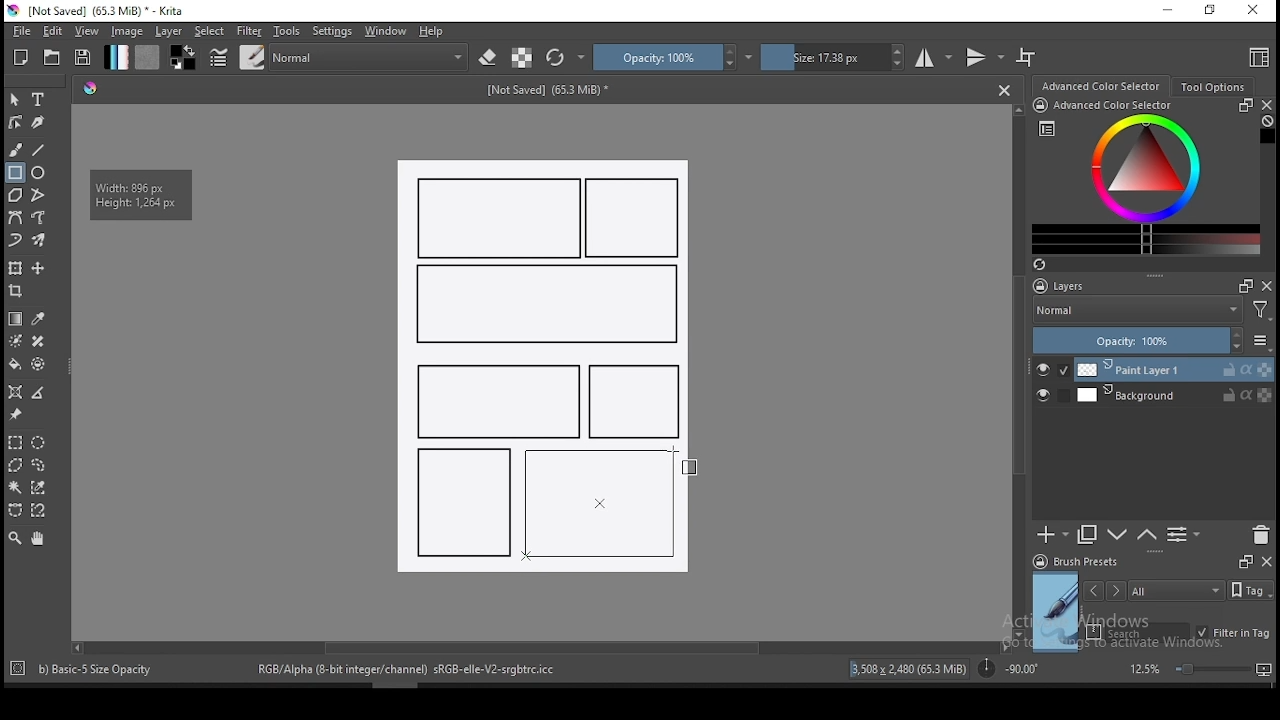 The height and width of the screenshot is (720, 1280). Describe the element at coordinates (39, 171) in the screenshot. I see `ellipse tool` at that location.